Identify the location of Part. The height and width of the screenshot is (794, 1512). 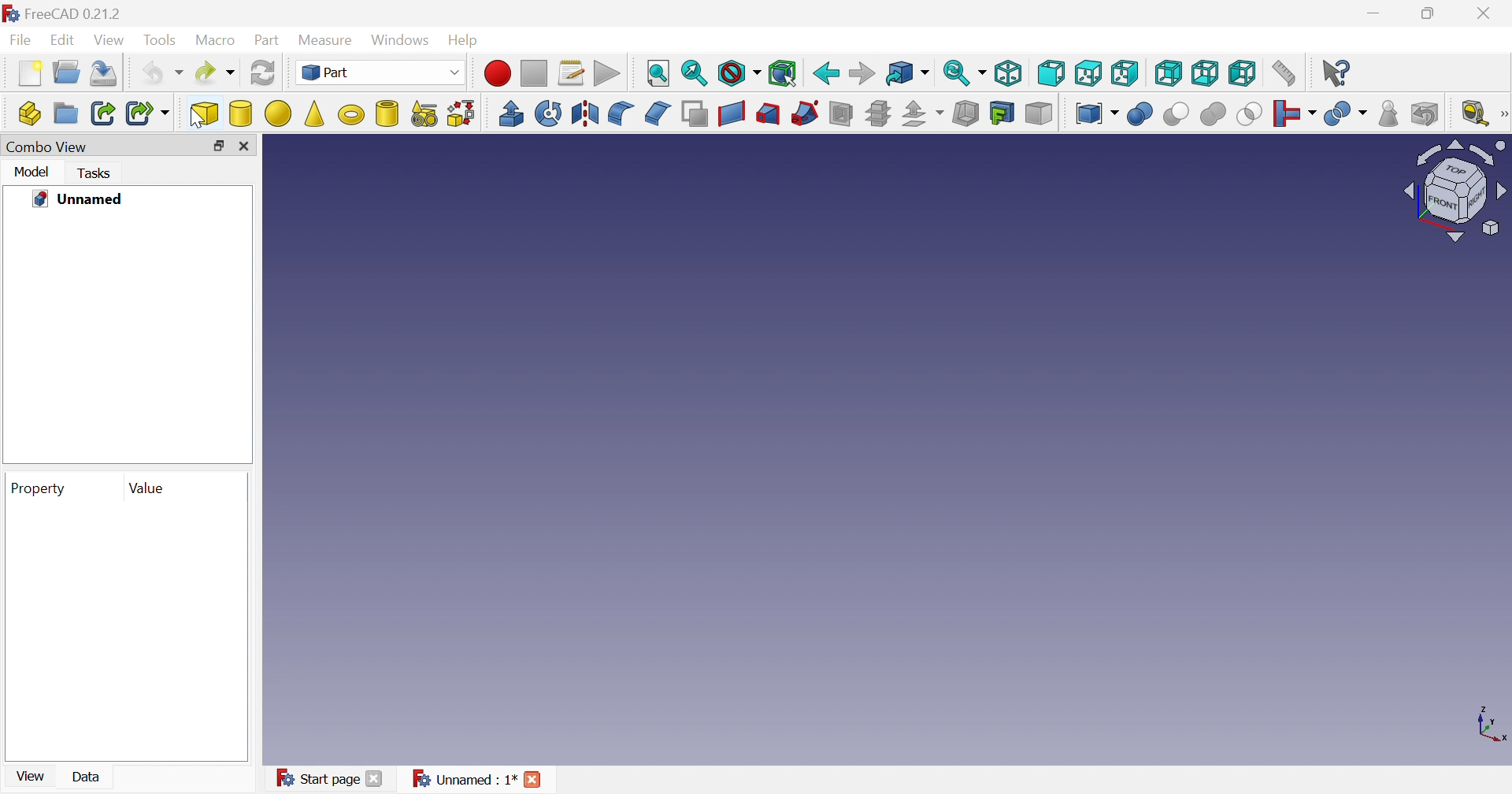
(270, 39).